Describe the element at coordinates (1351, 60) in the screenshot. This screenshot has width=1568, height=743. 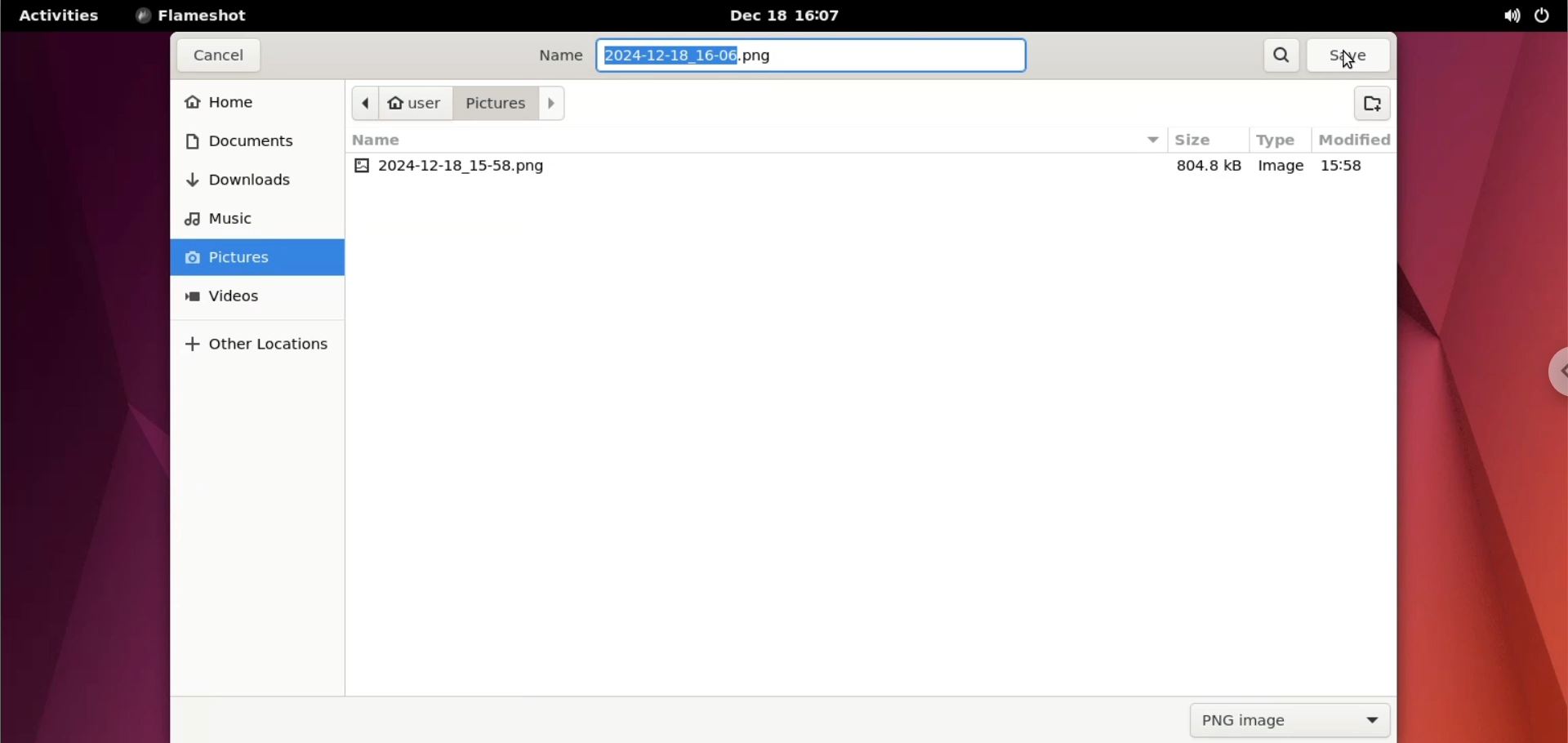
I see `cursor` at that location.